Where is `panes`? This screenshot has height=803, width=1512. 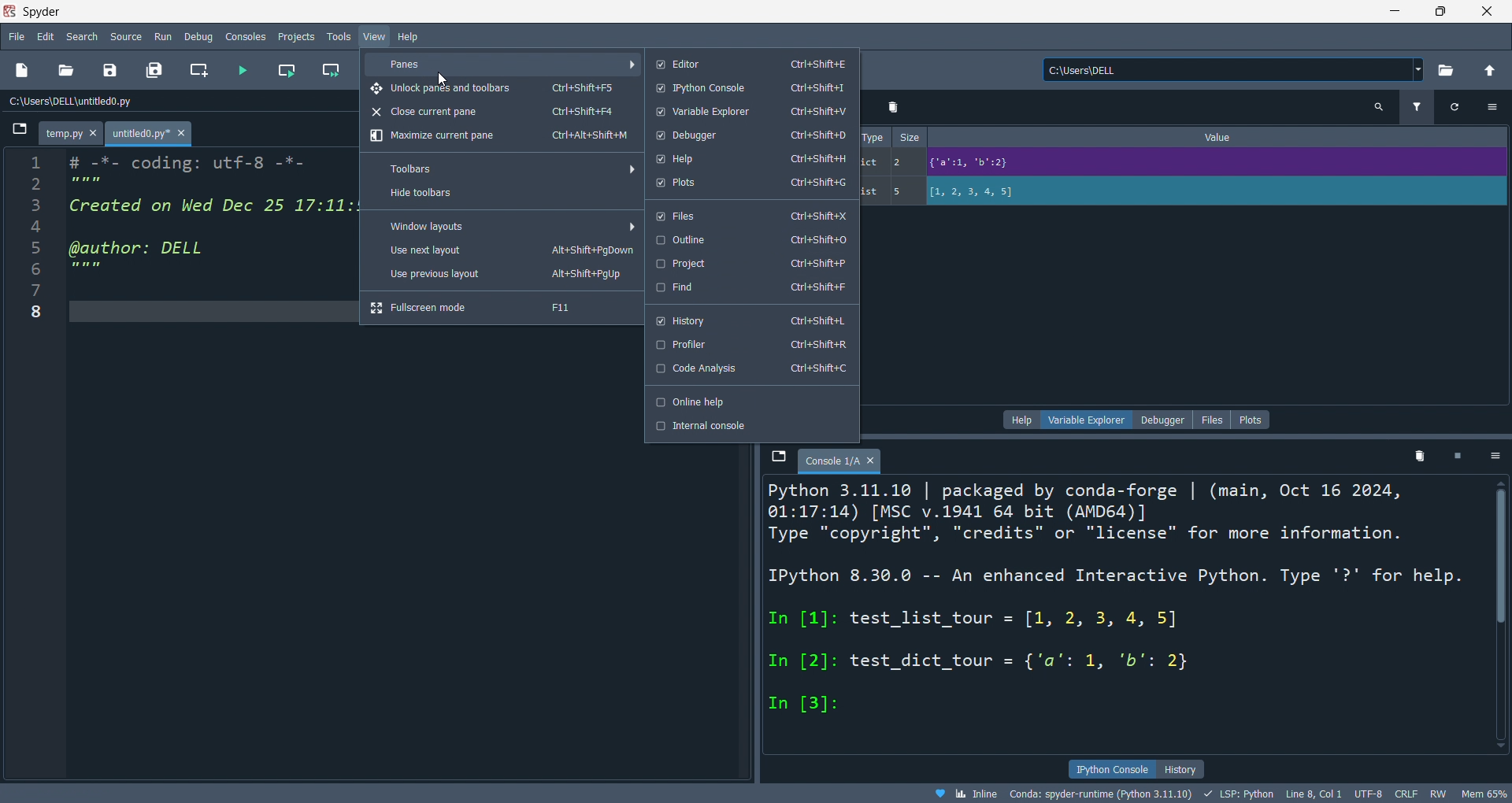 panes is located at coordinates (500, 62).